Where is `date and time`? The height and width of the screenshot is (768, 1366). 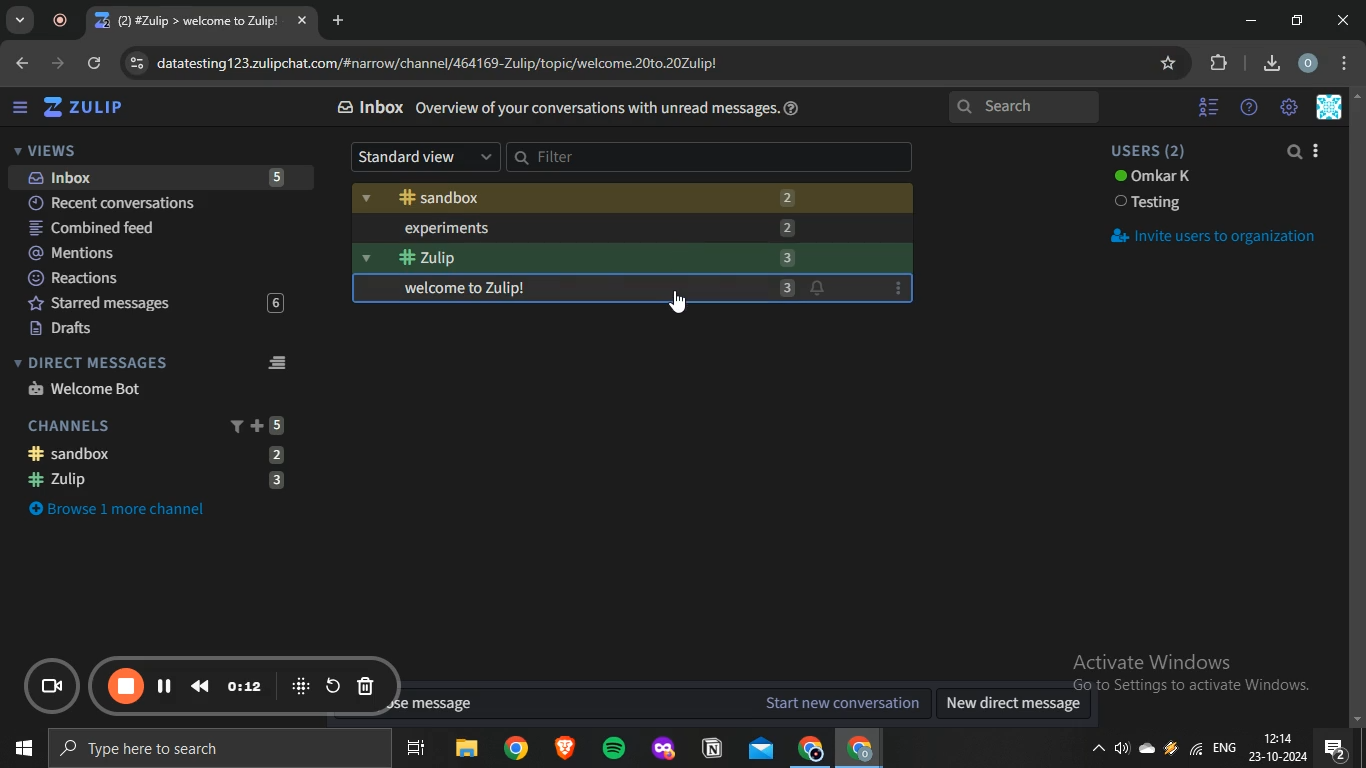
date and time is located at coordinates (1277, 749).